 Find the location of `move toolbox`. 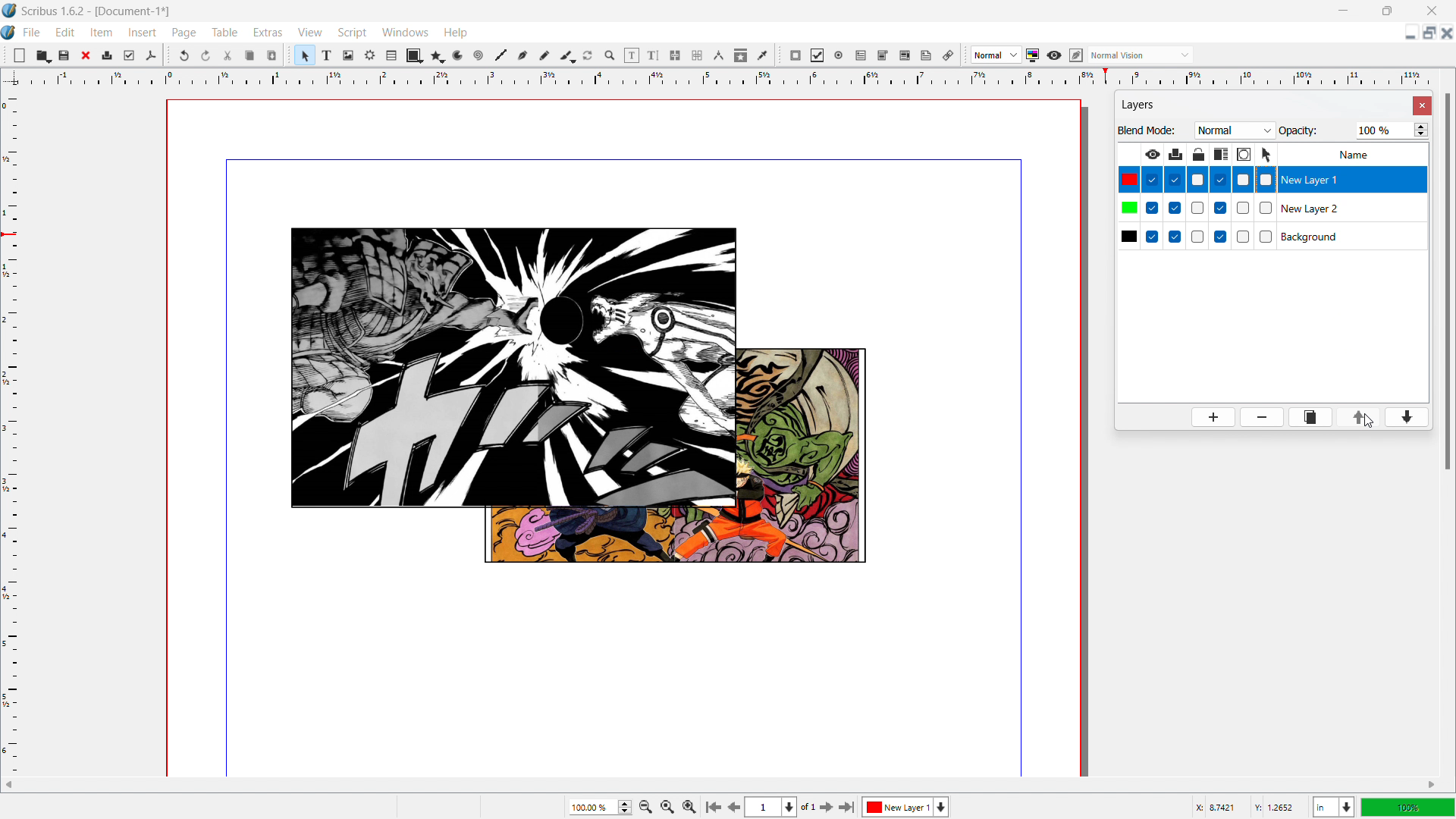

move toolbox is located at coordinates (964, 55).